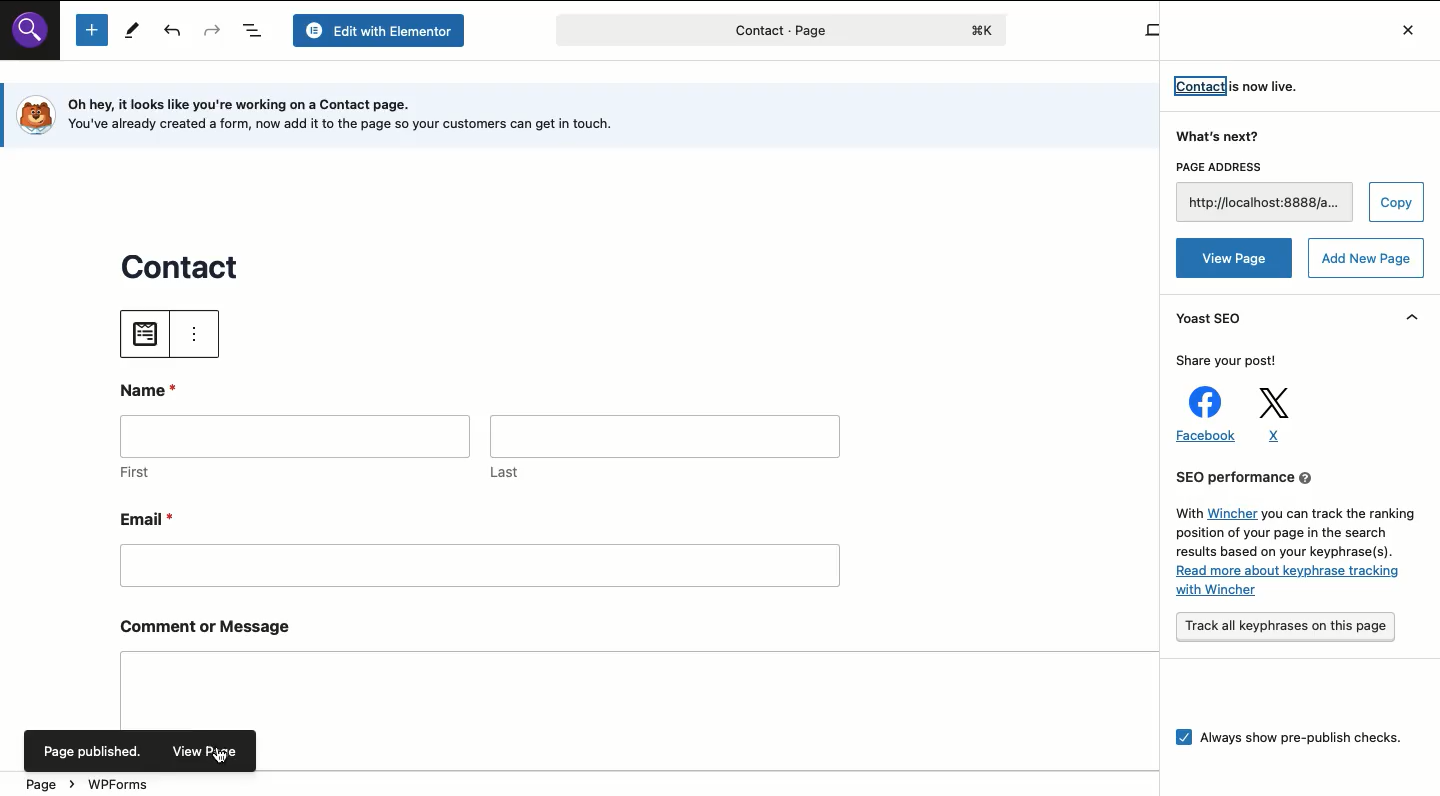  What do you see at coordinates (1260, 191) in the screenshot?
I see `Page address—httpi//localhost:8888/a...` at bounding box center [1260, 191].